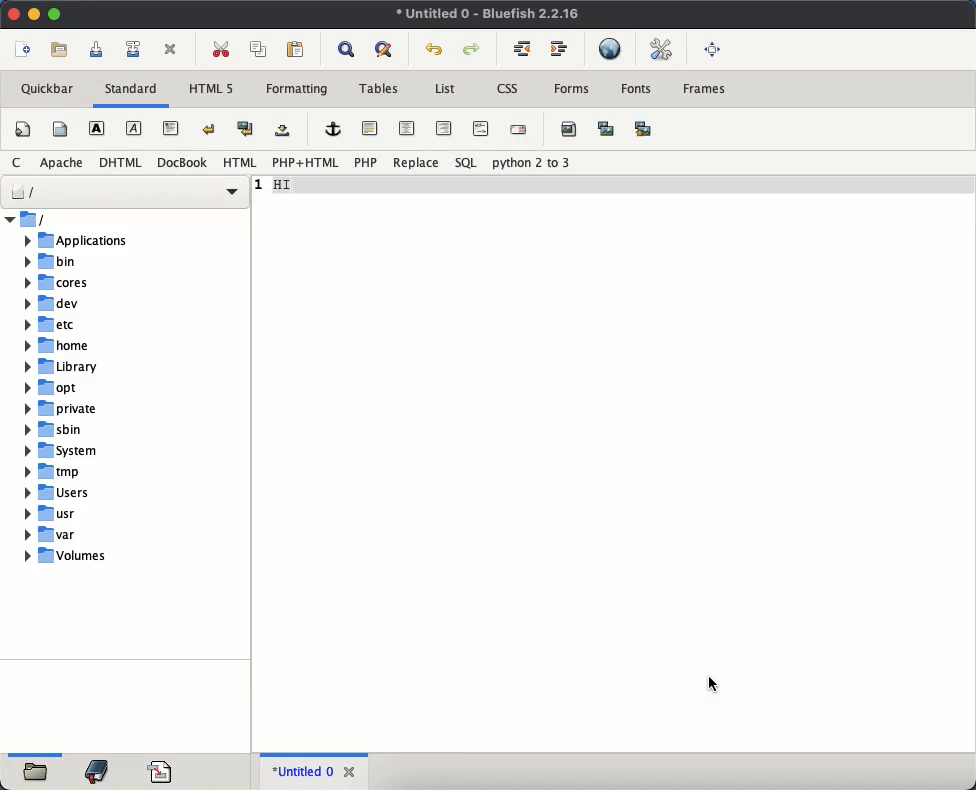  Describe the element at coordinates (259, 50) in the screenshot. I see `copy` at that location.